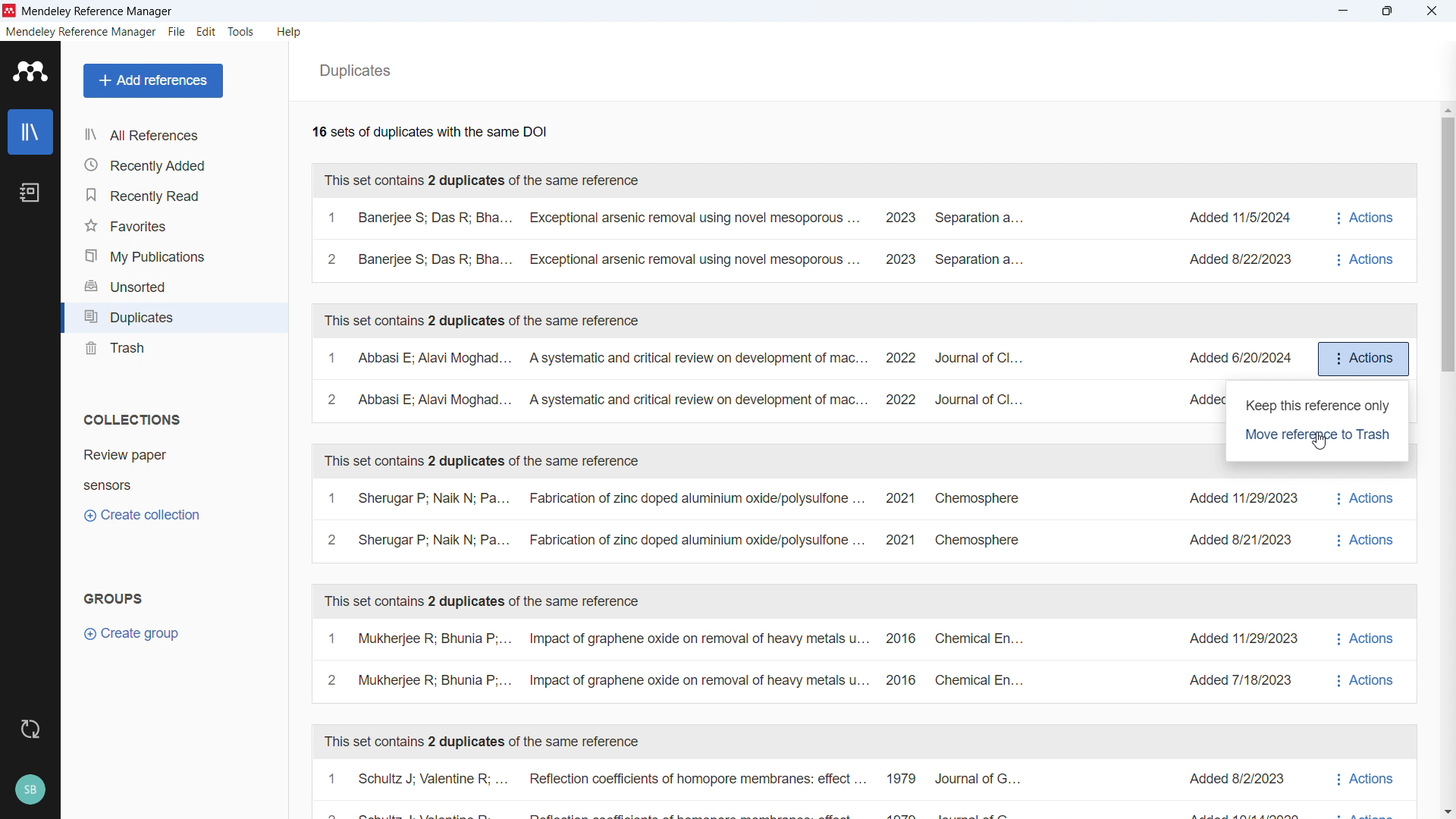  Describe the element at coordinates (172, 193) in the screenshot. I see `Recently read ` at that location.